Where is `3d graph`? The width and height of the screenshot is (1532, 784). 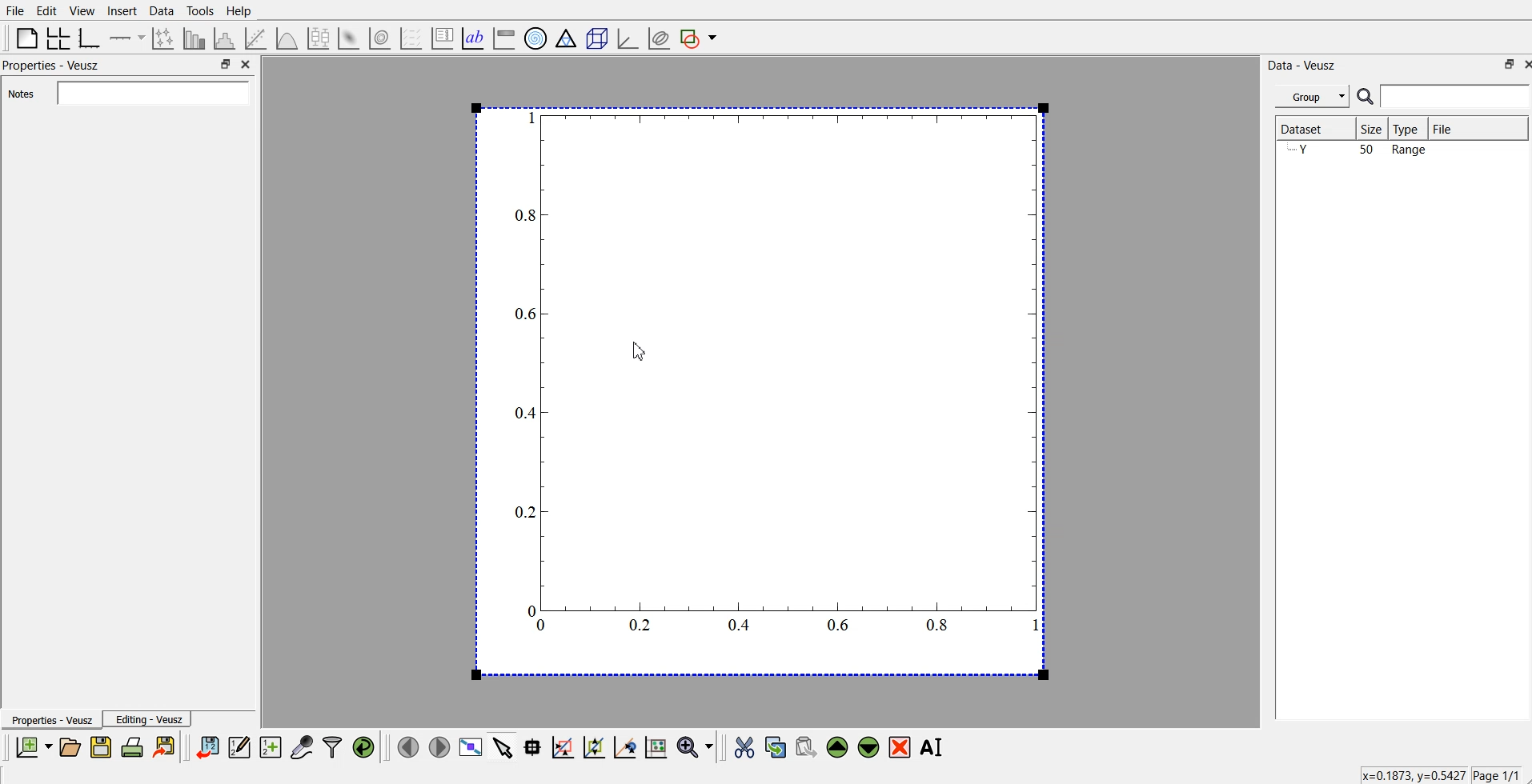 3d graph is located at coordinates (627, 35).